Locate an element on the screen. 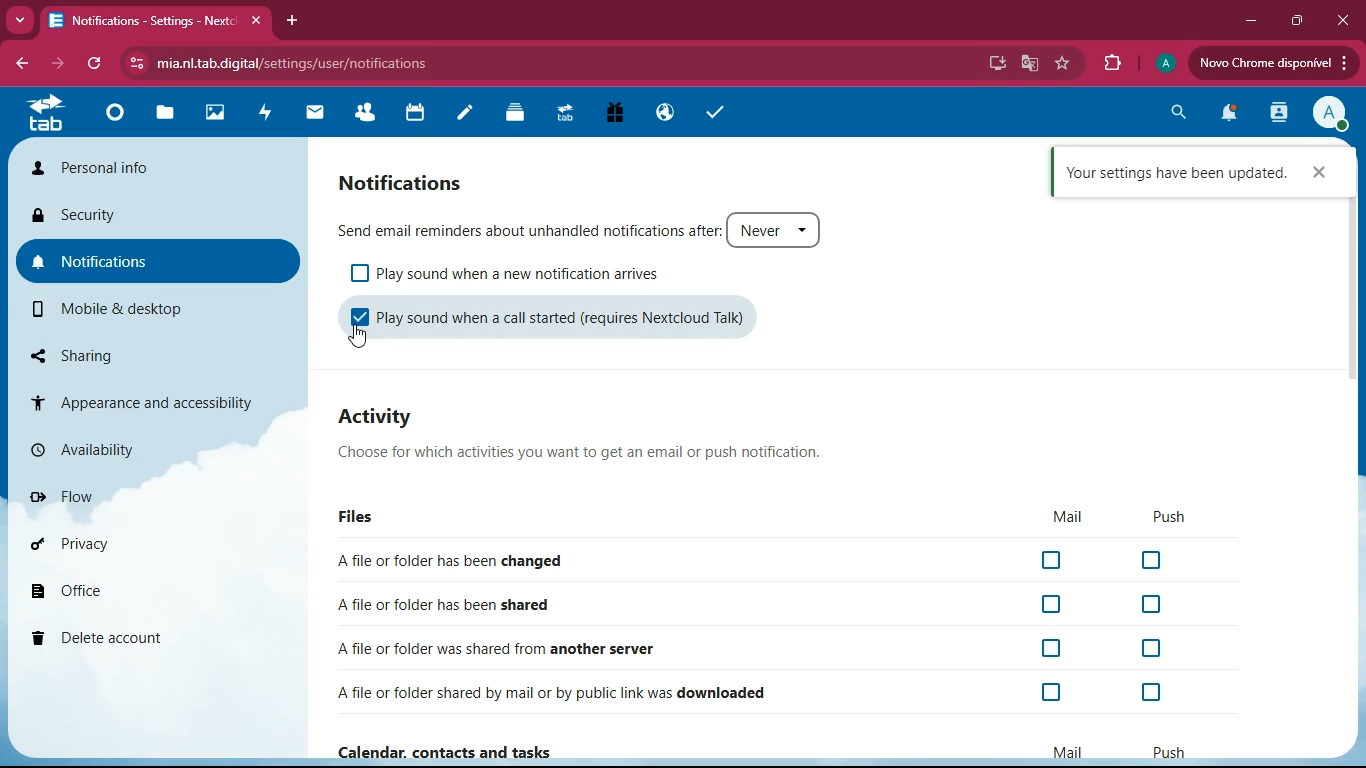 This screenshot has height=768, width=1366. activity is located at coordinates (271, 117).